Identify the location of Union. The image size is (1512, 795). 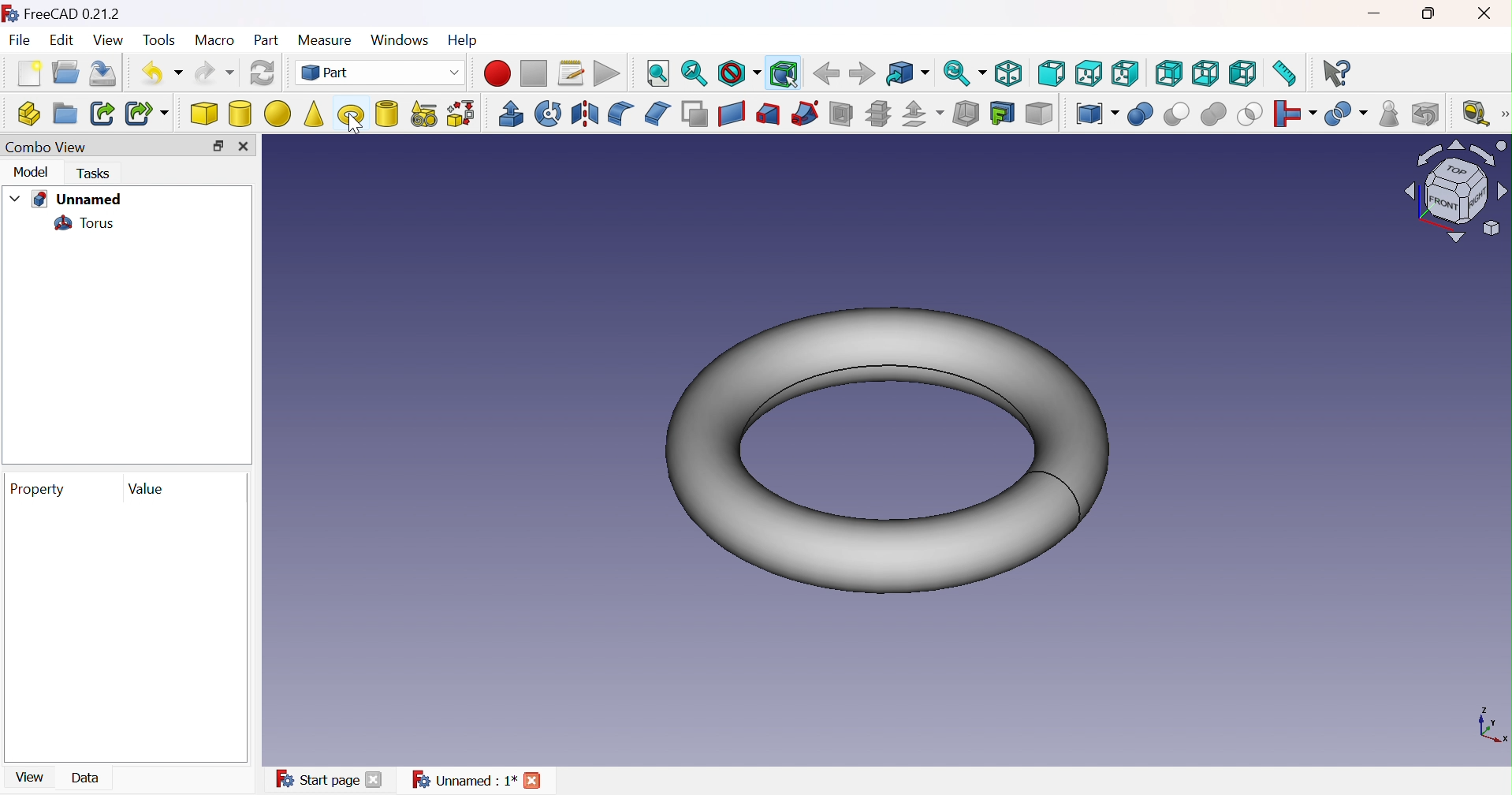
(1212, 114).